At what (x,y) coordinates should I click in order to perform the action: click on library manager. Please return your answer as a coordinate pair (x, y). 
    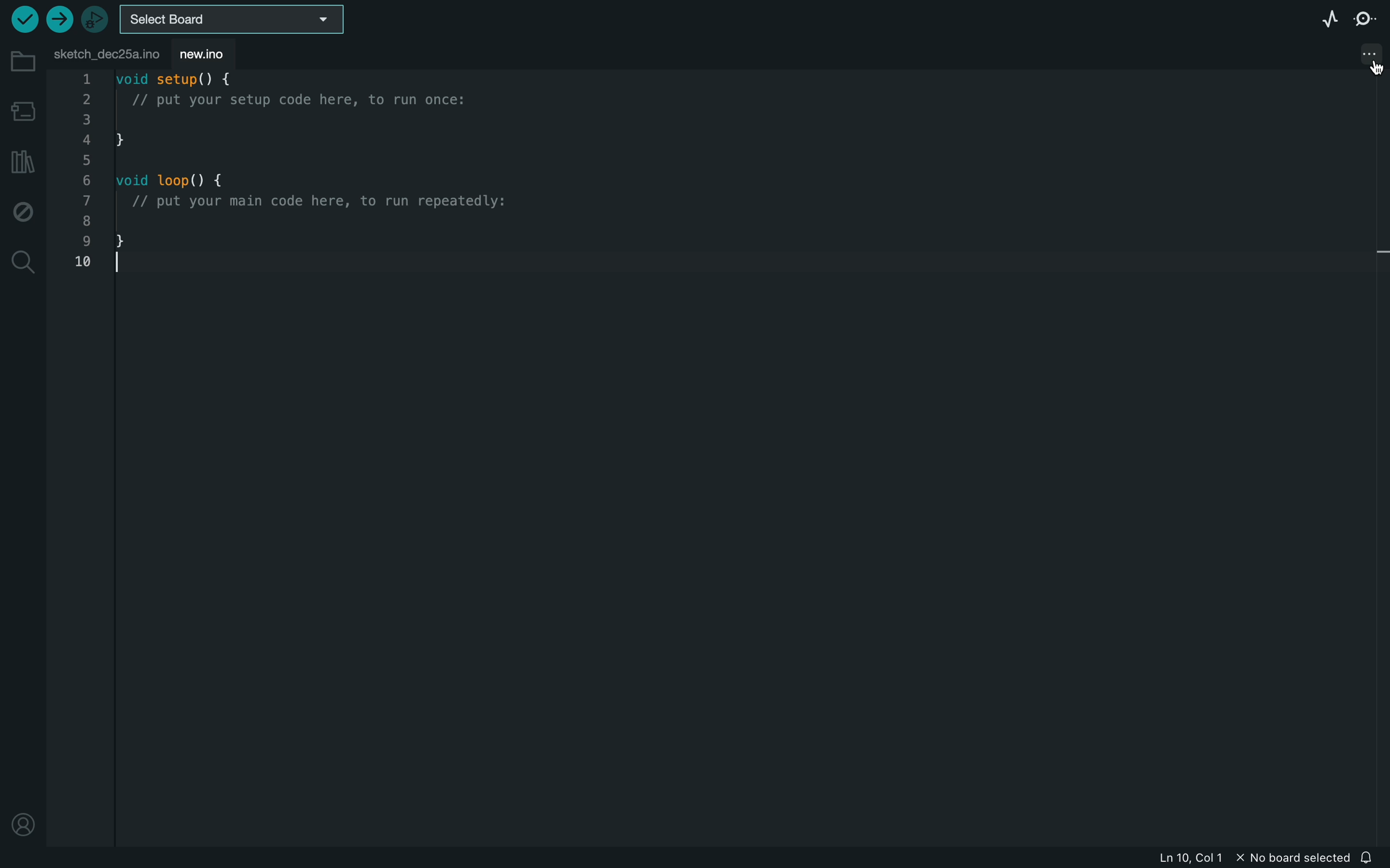
    Looking at the image, I should click on (20, 161).